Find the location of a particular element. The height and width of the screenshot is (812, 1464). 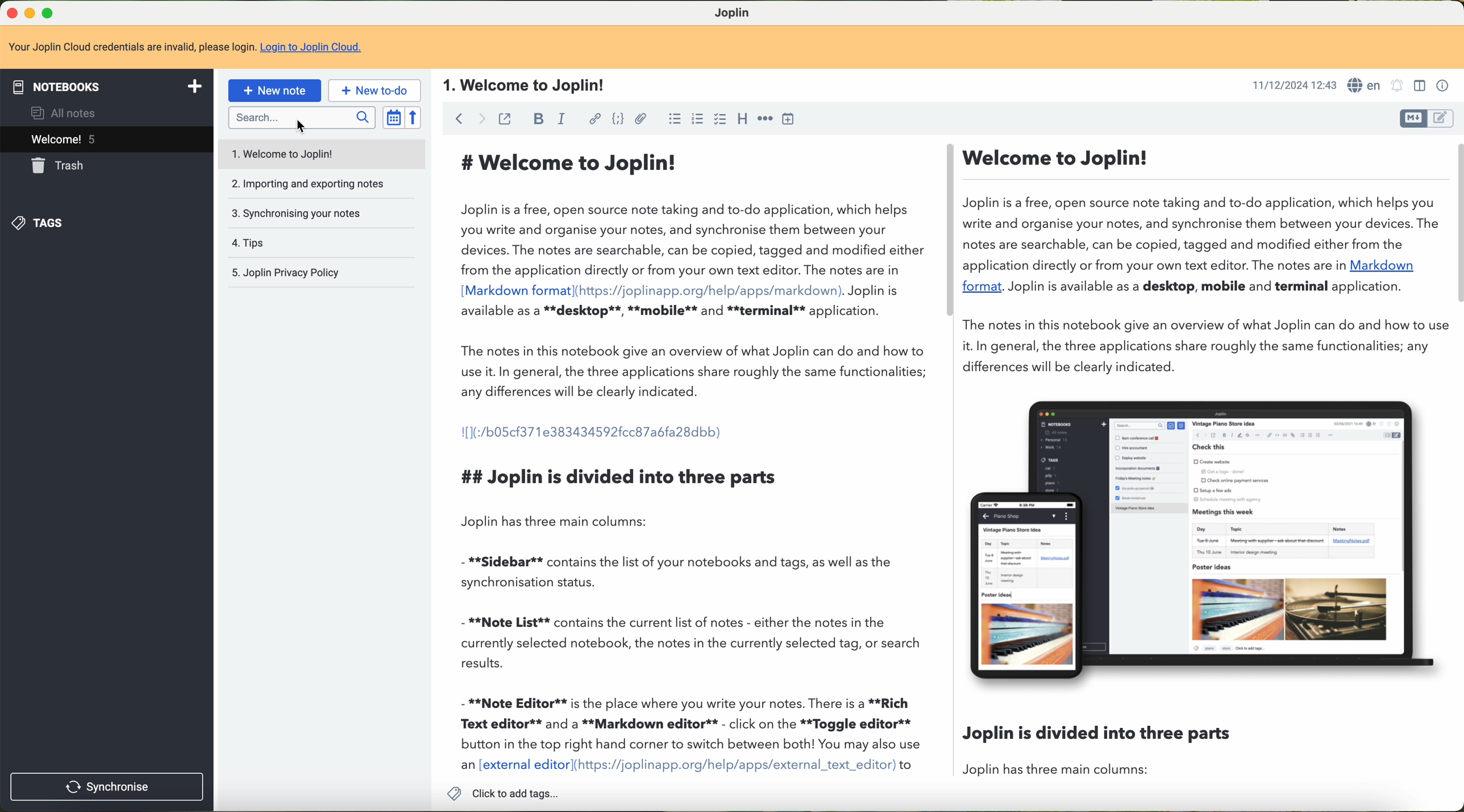

reverse sort order is located at coordinates (413, 116).